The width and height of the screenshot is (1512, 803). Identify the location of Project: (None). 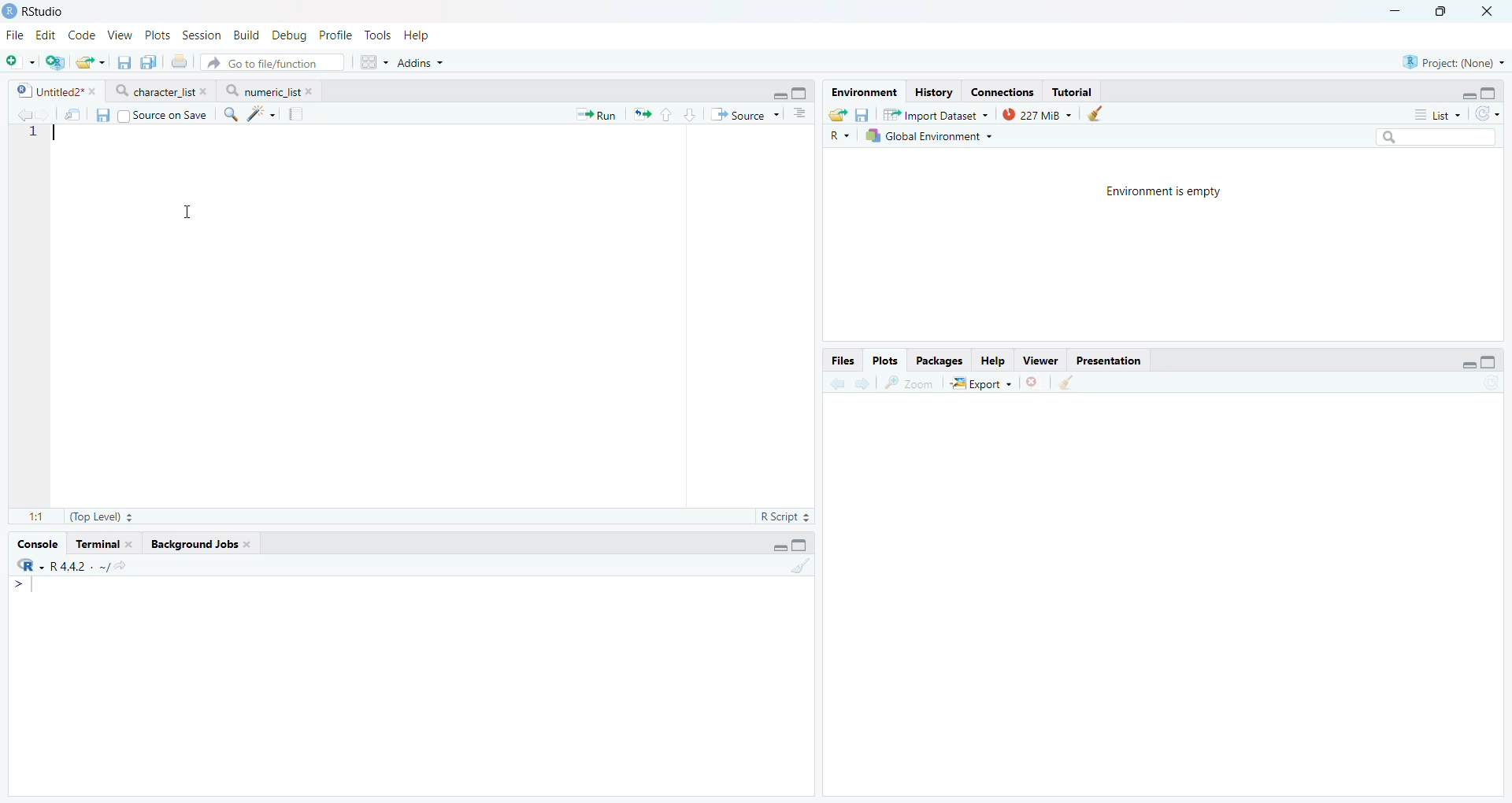
(1454, 61).